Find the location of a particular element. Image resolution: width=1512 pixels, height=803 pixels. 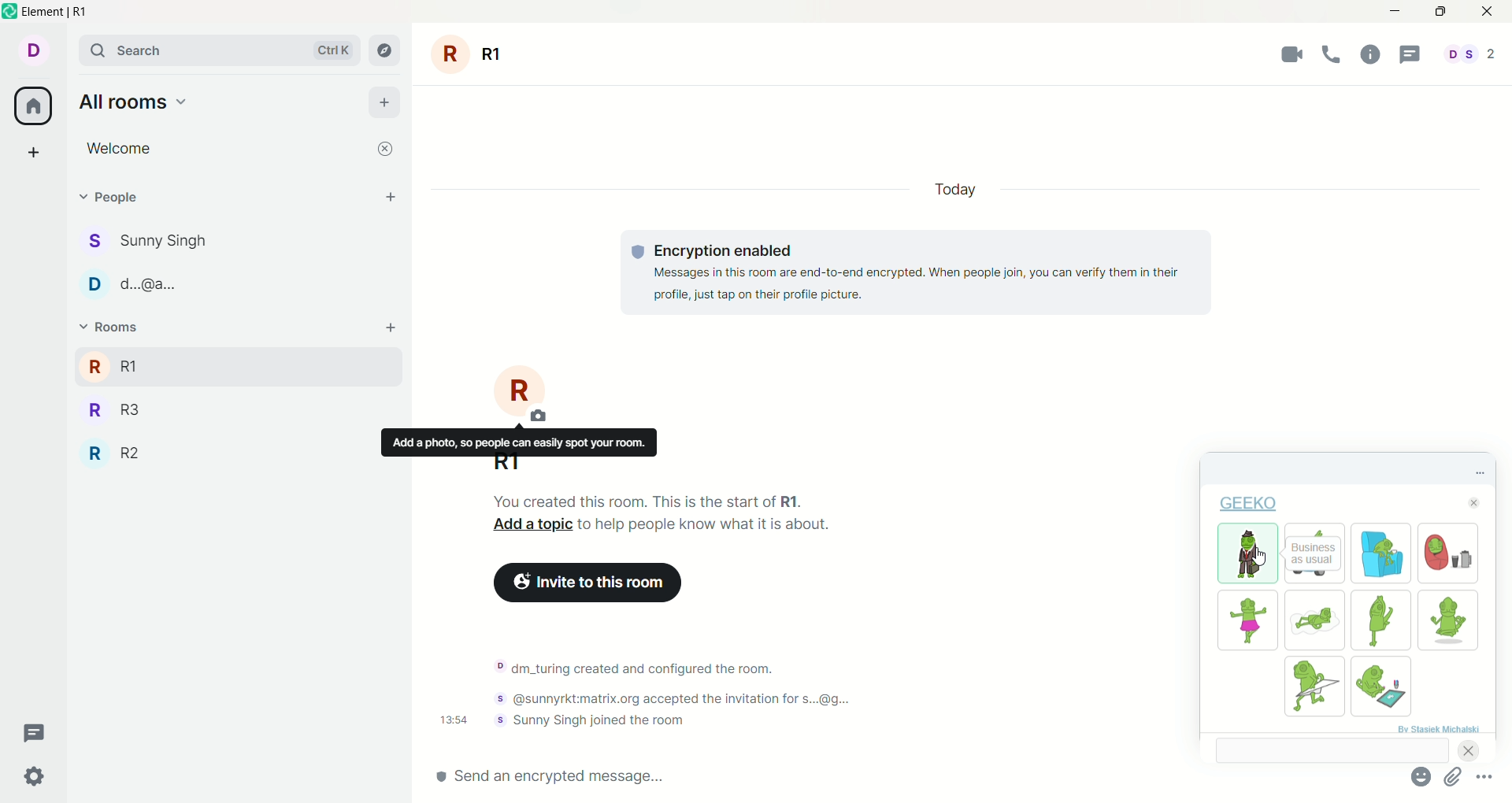

help is located at coordinates (1371, 54).